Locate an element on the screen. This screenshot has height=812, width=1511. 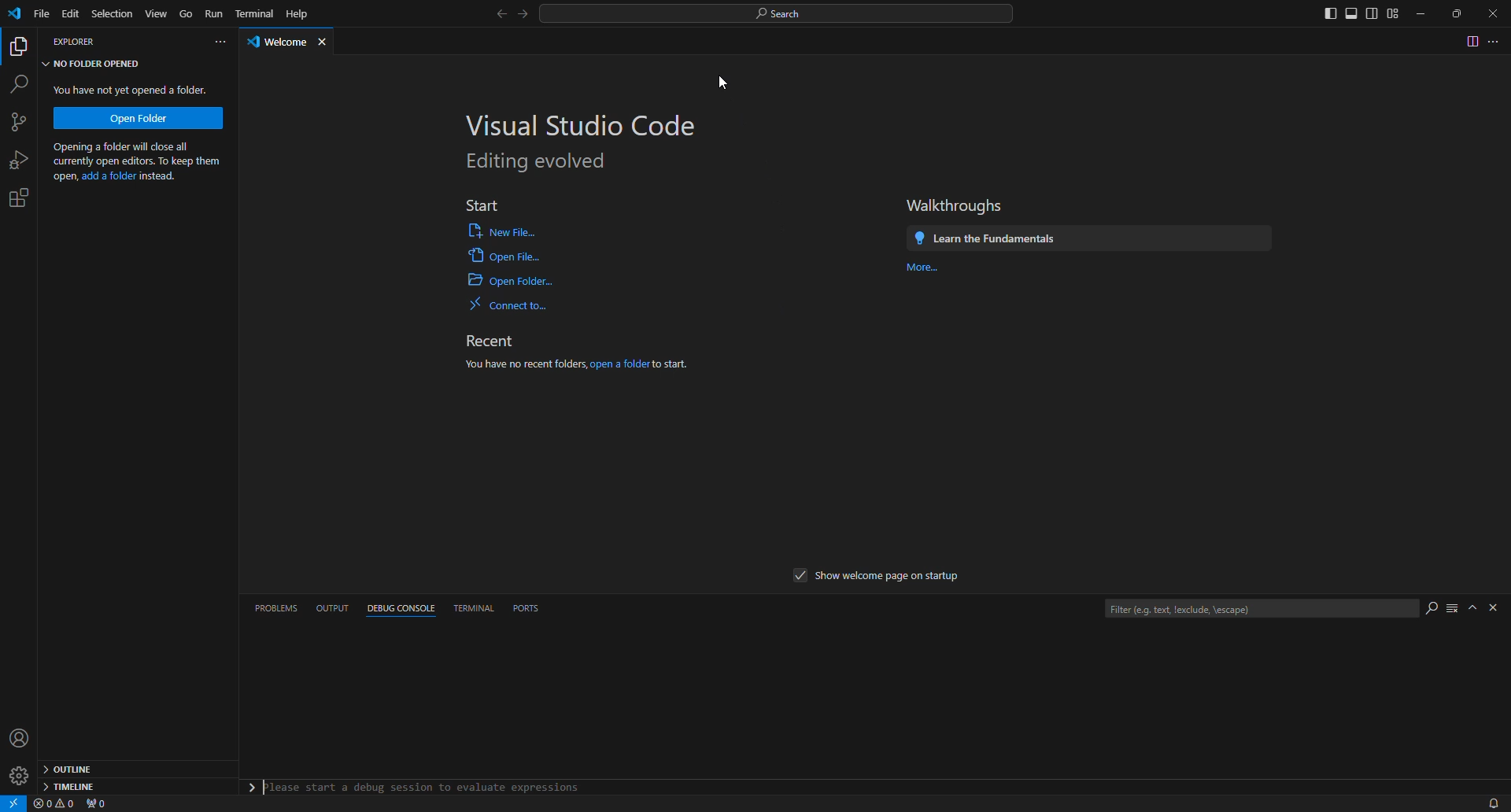
Connect to is located at coordinates (507, 308).